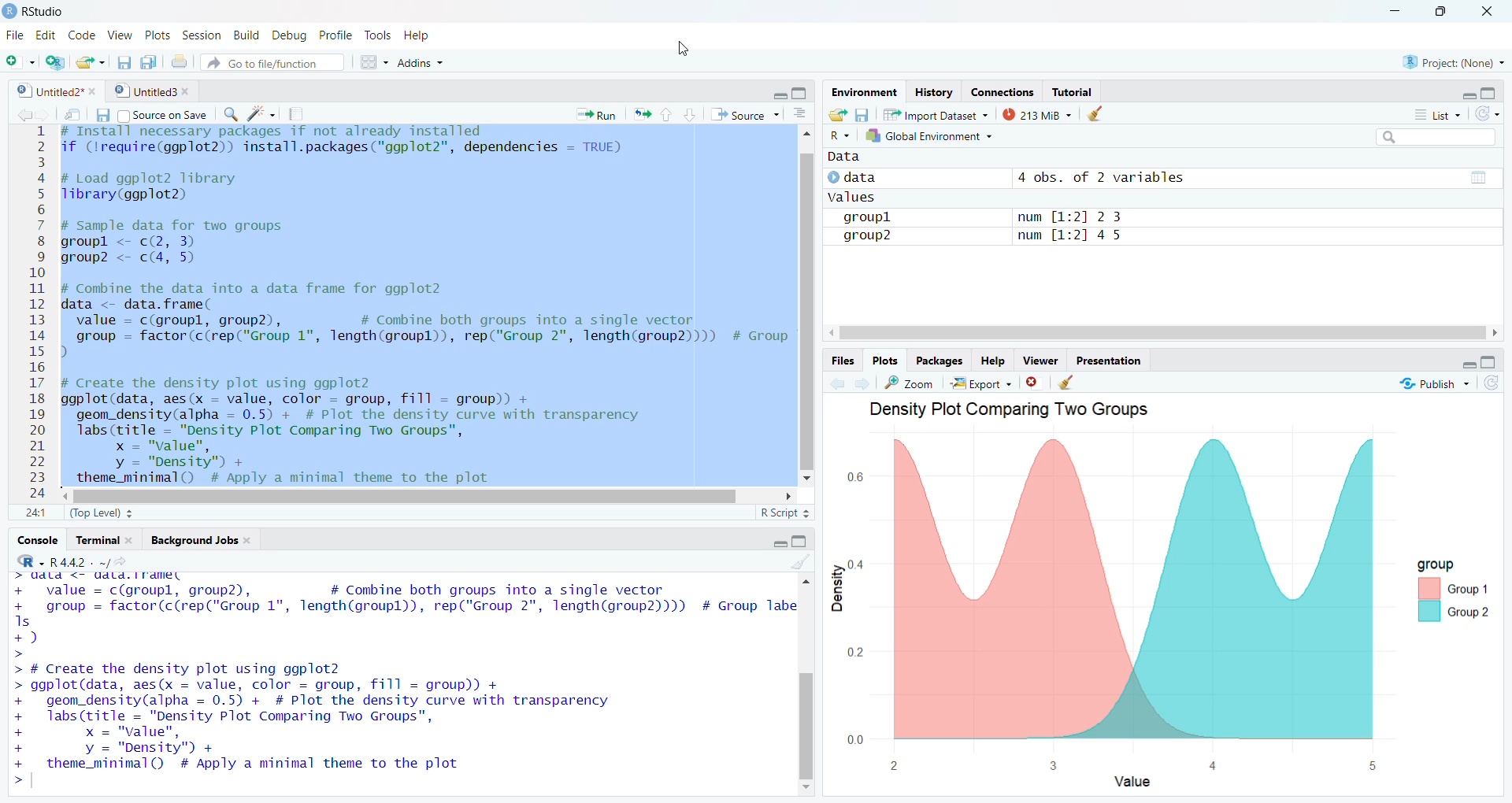 This screenshot has height=803, width=1512. I want to click on 1 1, so click(33, 513).